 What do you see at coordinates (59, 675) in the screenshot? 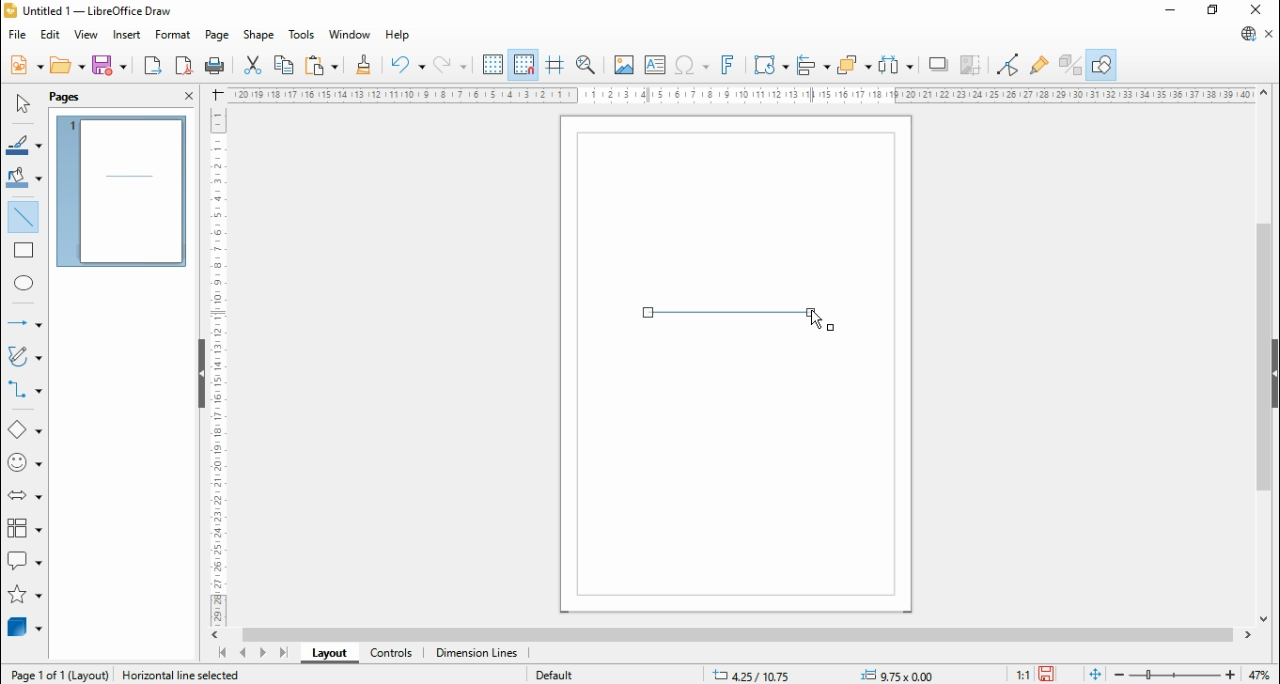
I see `page 1 of 1` at bounding box center [59, 675].